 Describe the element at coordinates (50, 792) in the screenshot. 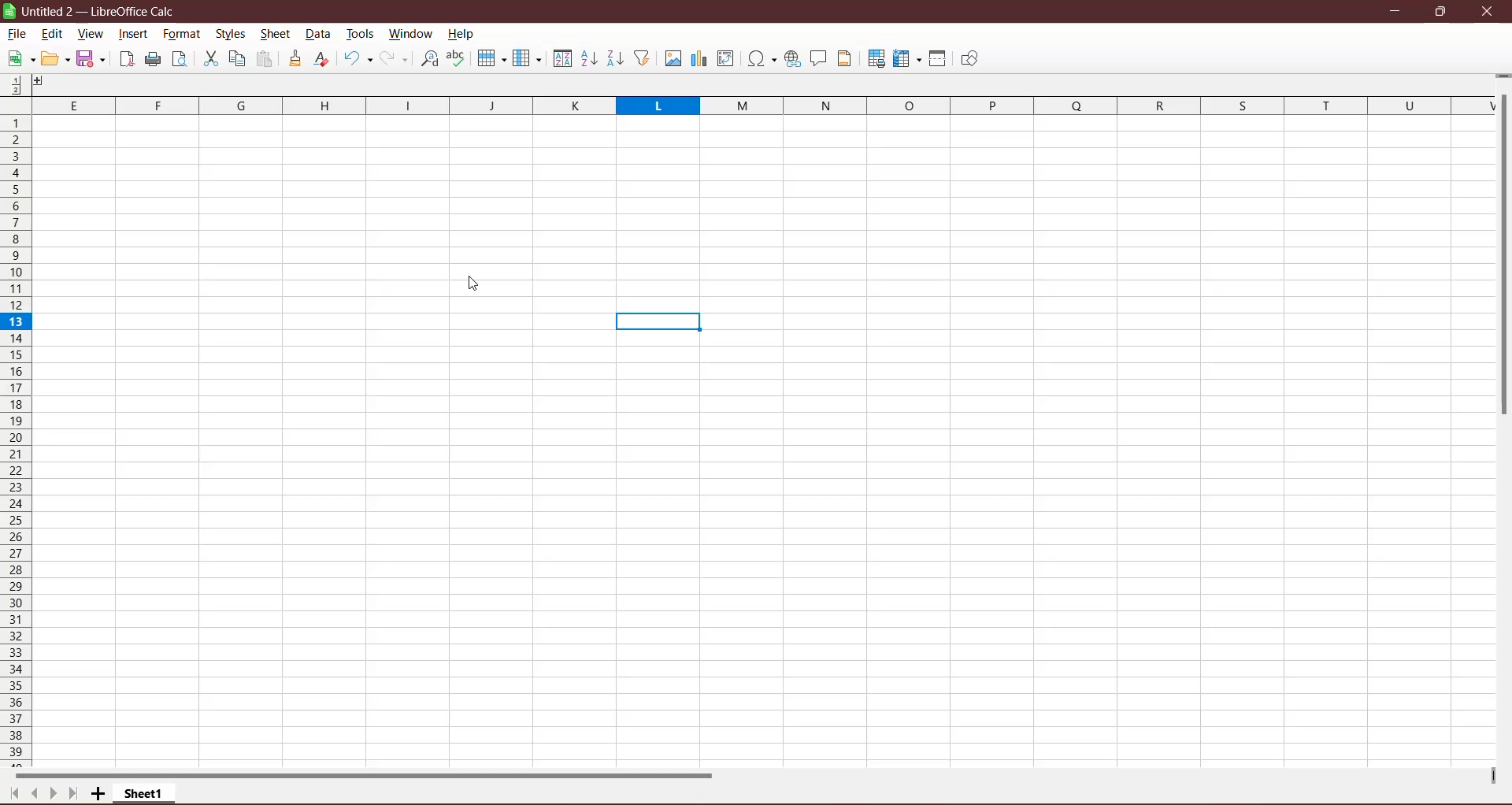

I see `Scroll to next page` at that location.